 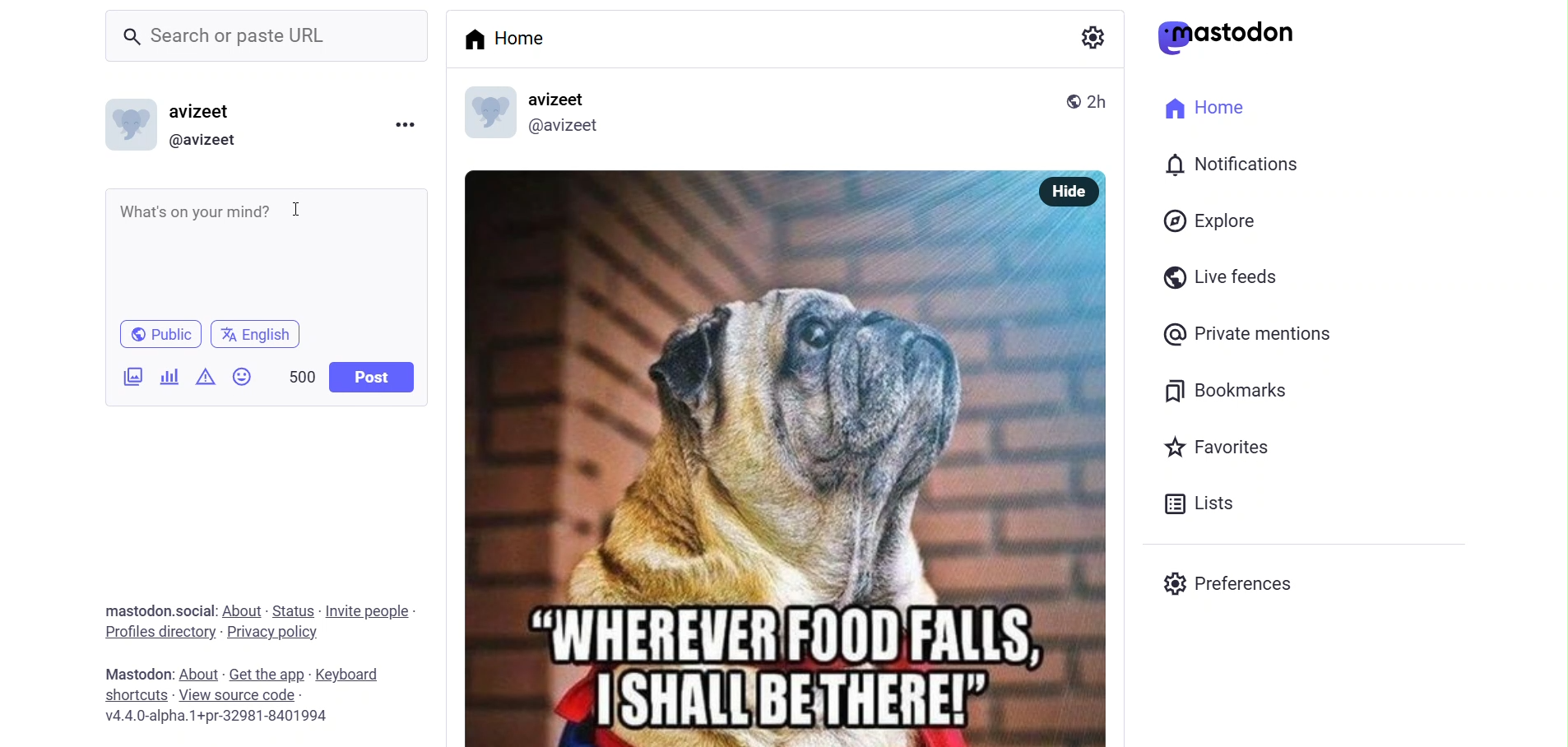 I want to click on home, so click(x=501, y=37).